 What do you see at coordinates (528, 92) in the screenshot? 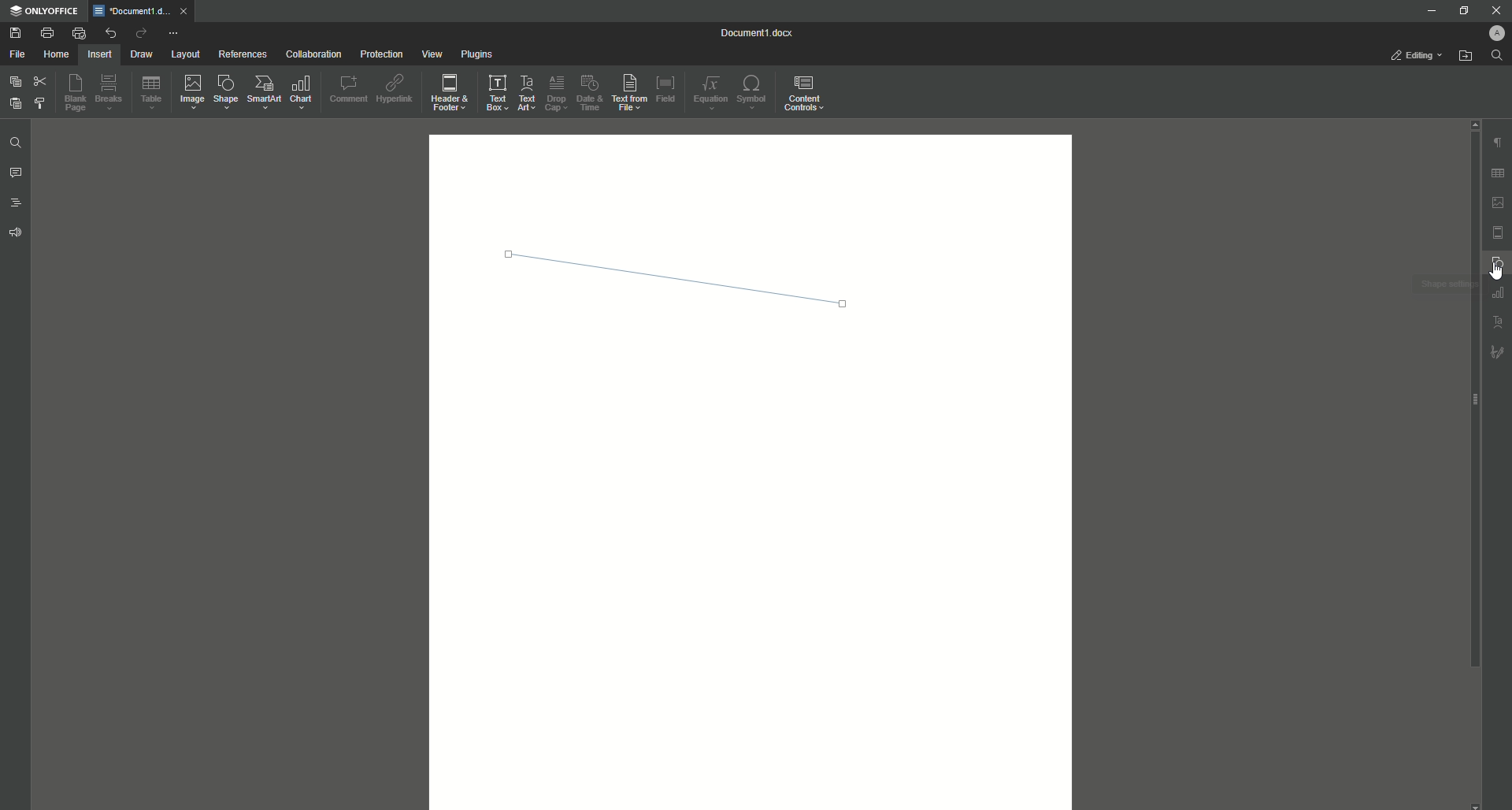
I see `Text Art` at bounding box center [528, 92].